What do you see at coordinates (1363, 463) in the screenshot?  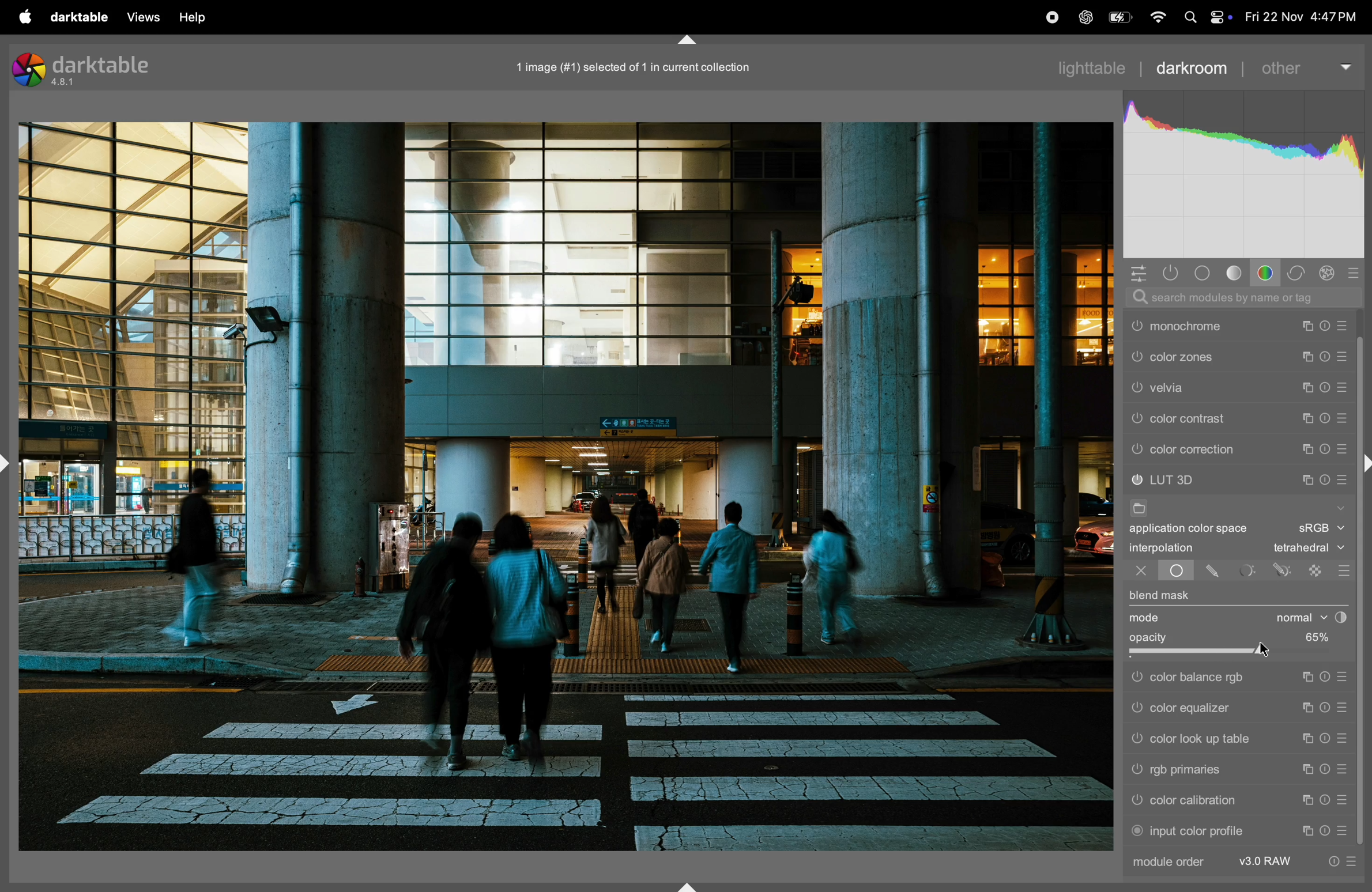 I see `shift+ctrl+r` at bounding box center [1363, 463].